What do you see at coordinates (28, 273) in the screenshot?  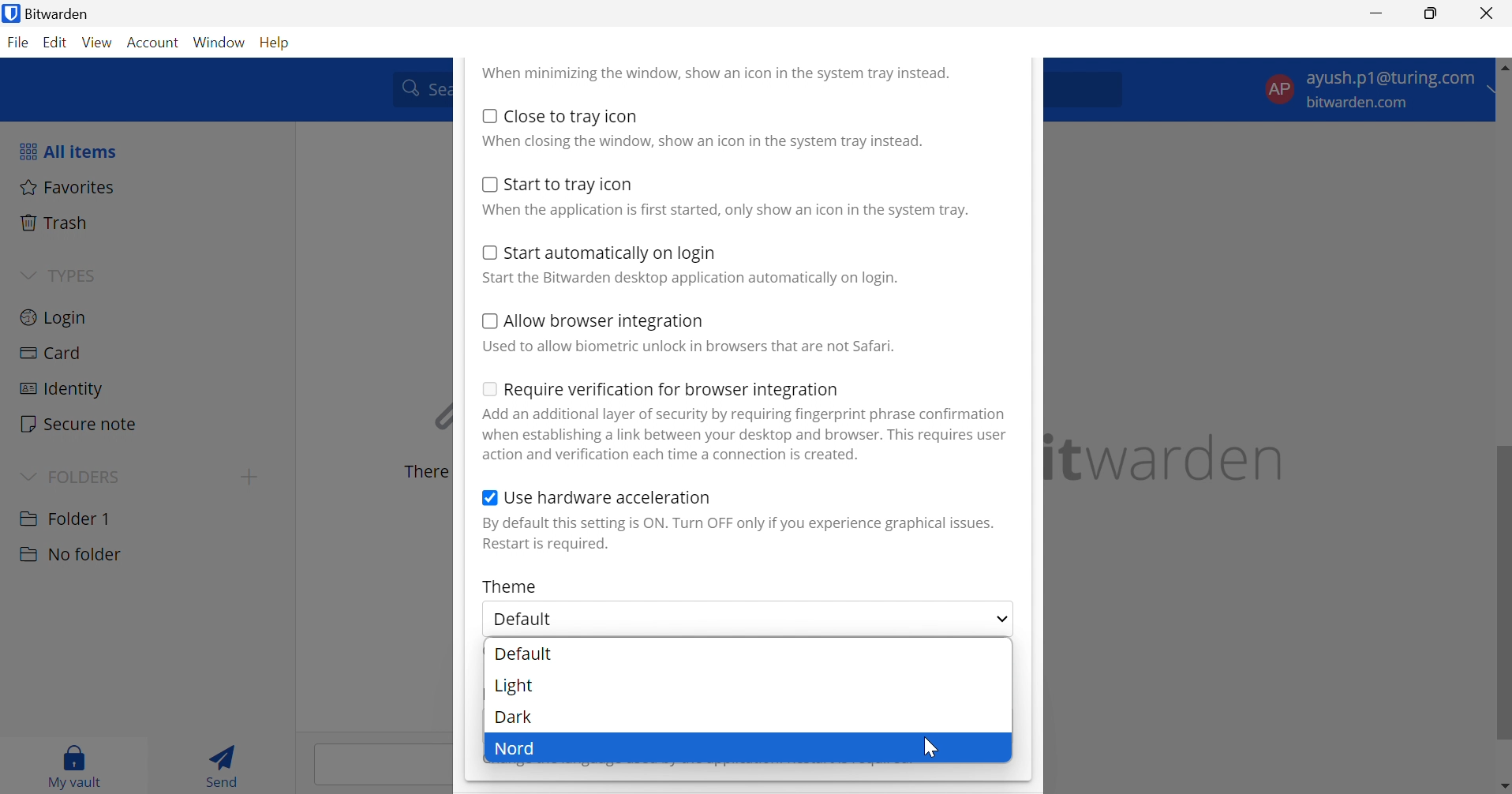 I see `Drop Down` at bounding box center [28, 273].